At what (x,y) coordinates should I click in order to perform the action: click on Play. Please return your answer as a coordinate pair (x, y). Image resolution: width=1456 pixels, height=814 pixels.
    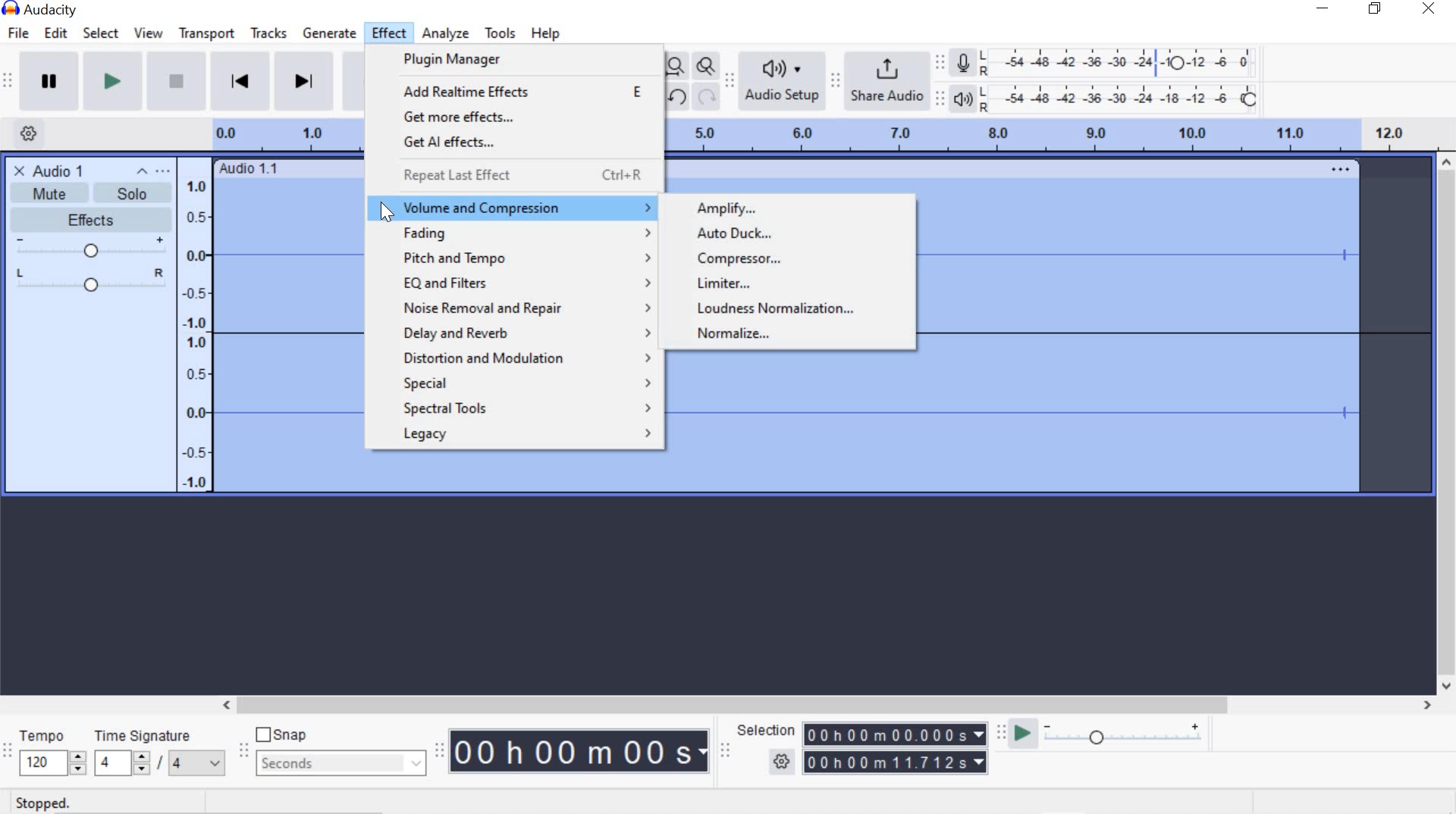
    Looking at the image, I should click on (113, 83).